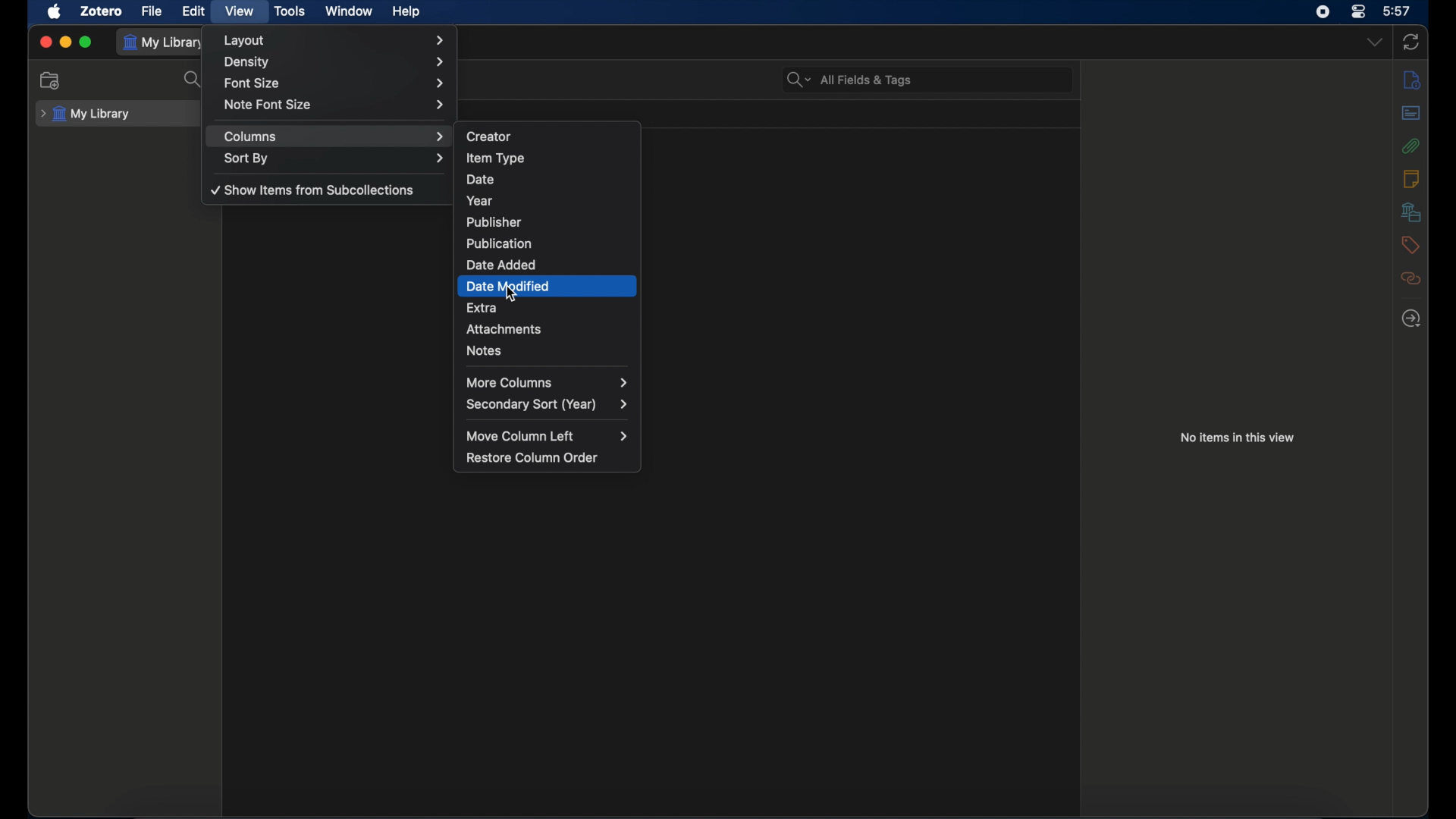 This screenshot has height=819, width=1456. What do you see at coordinates (65, 42) in the screenshot?
I see `minimize` at bounding box center [65, 42].